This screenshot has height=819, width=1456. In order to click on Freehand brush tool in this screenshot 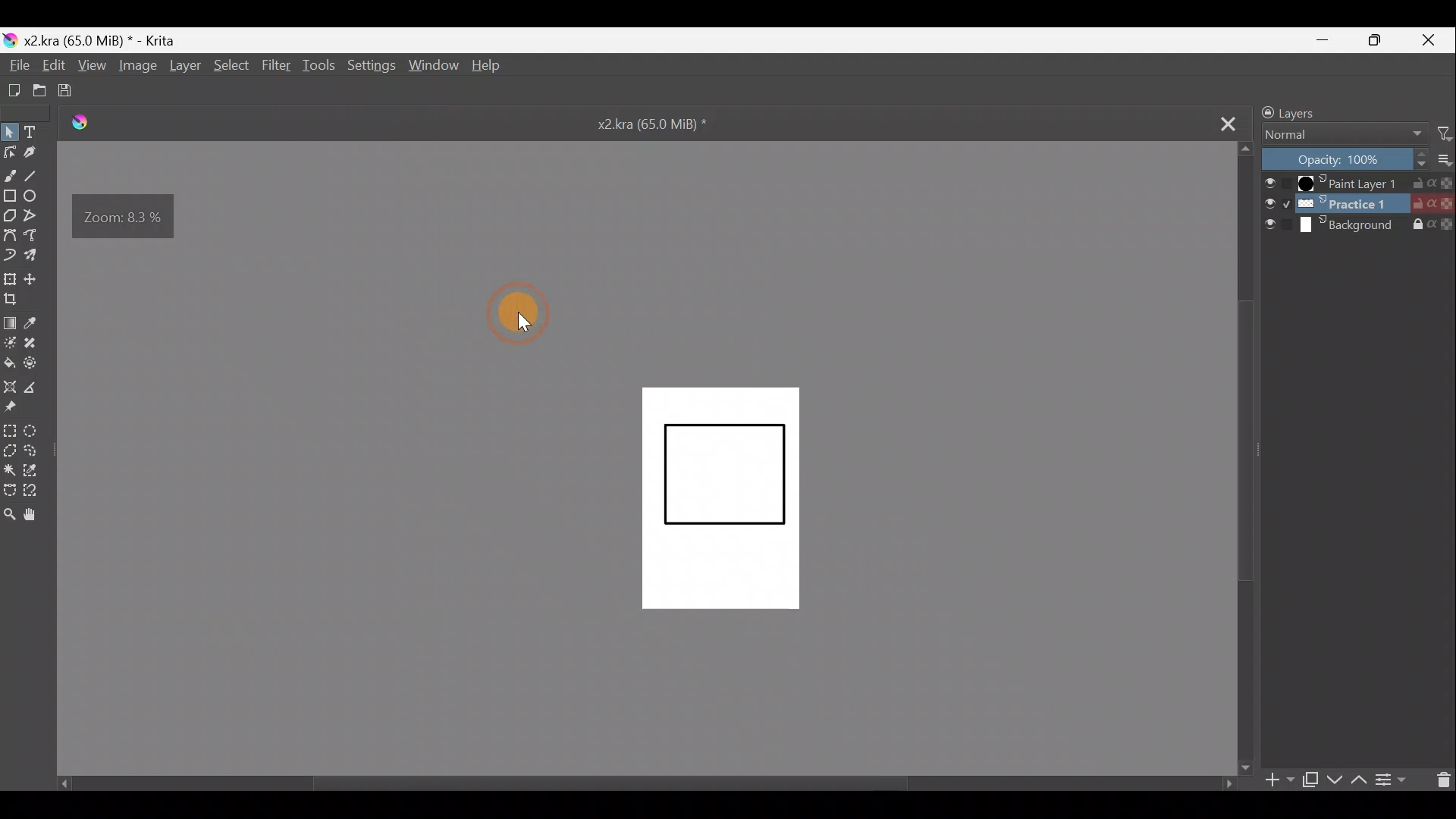, I will do `click(10, 171)`.